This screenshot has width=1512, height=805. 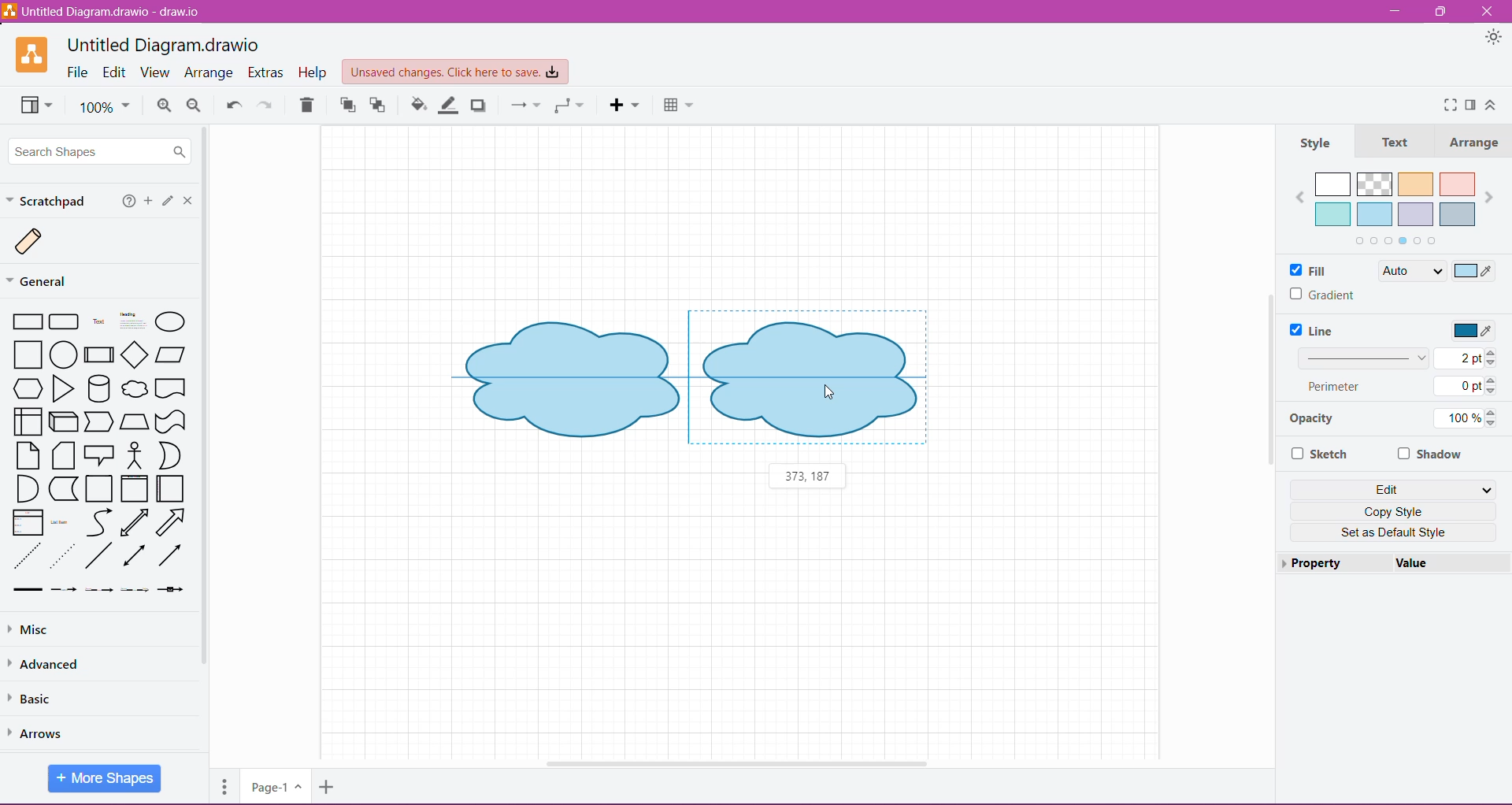 I want to click on Pages, so click(x=224, y=786).